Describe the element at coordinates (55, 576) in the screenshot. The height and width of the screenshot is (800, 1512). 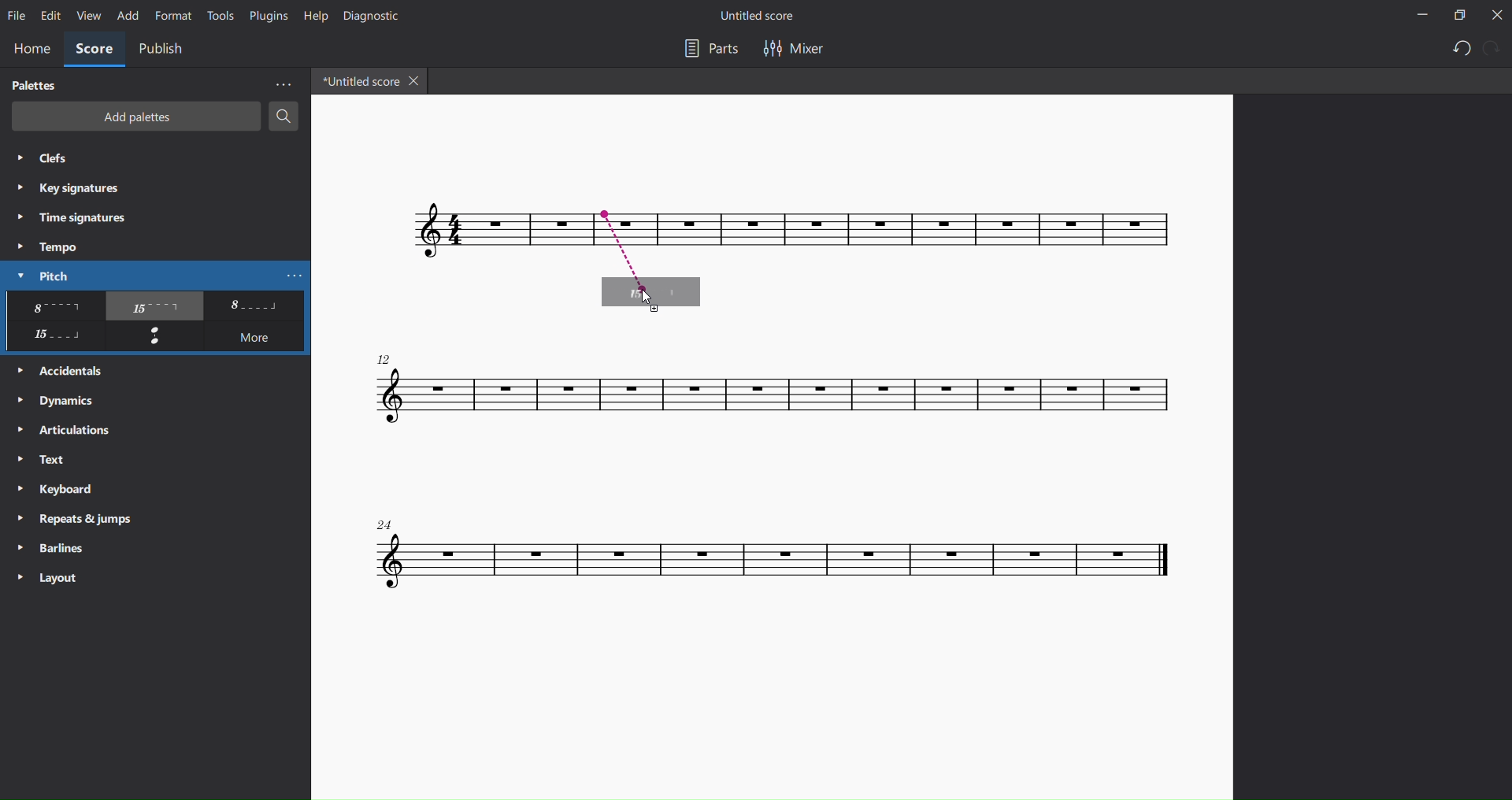
I see `layout` at that location.